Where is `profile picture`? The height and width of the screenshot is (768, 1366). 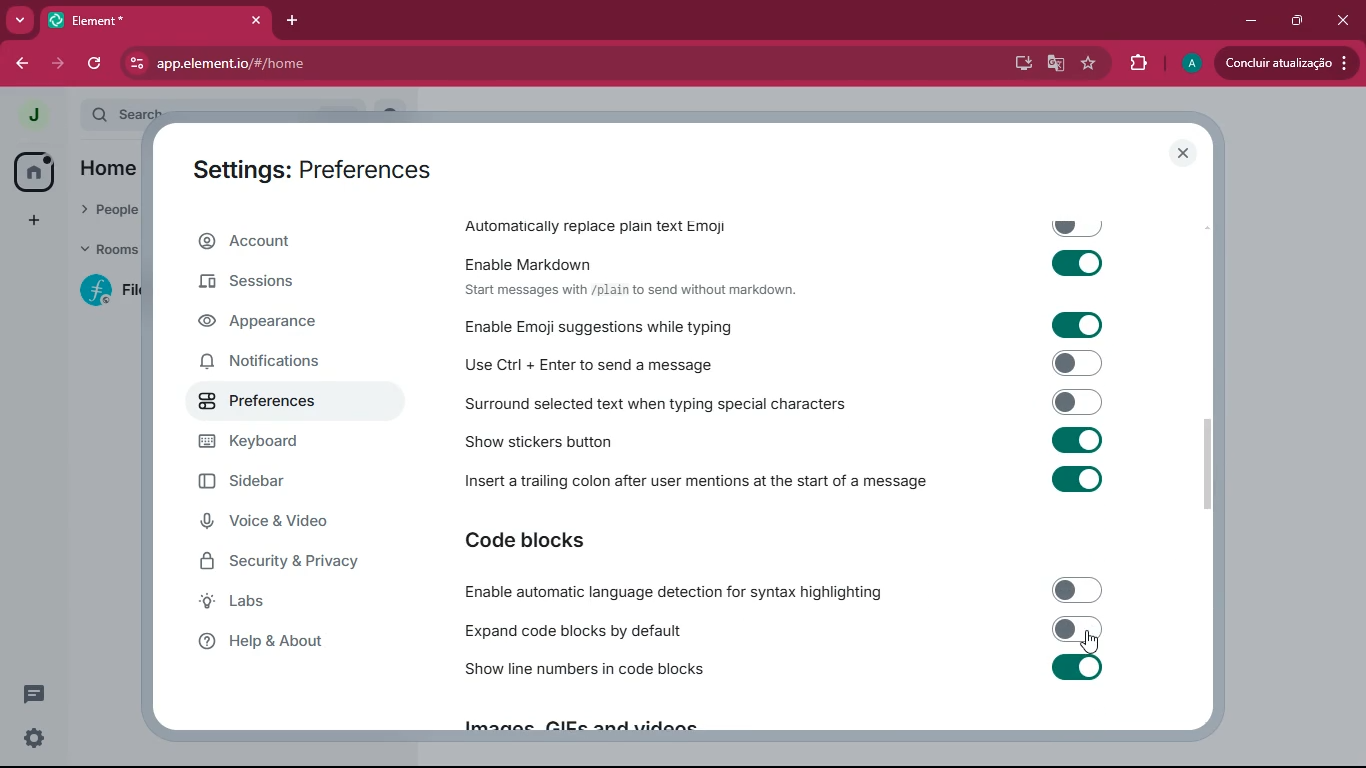
profile picture is located at coordinates (32, 116).